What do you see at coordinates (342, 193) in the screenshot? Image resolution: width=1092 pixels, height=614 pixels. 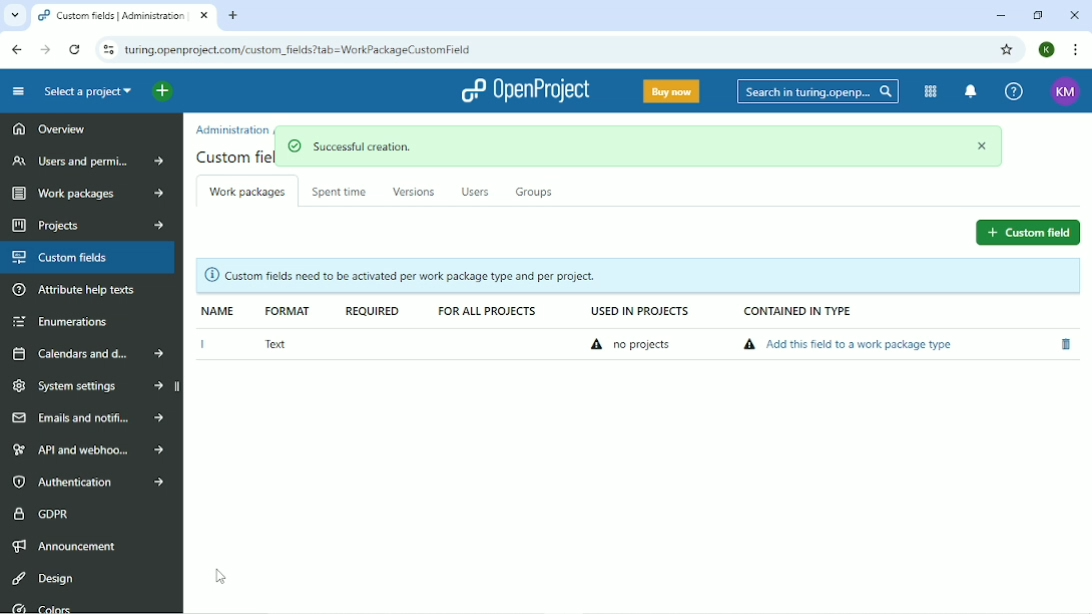 I see `Spent time` at bounding box center [342, 193].